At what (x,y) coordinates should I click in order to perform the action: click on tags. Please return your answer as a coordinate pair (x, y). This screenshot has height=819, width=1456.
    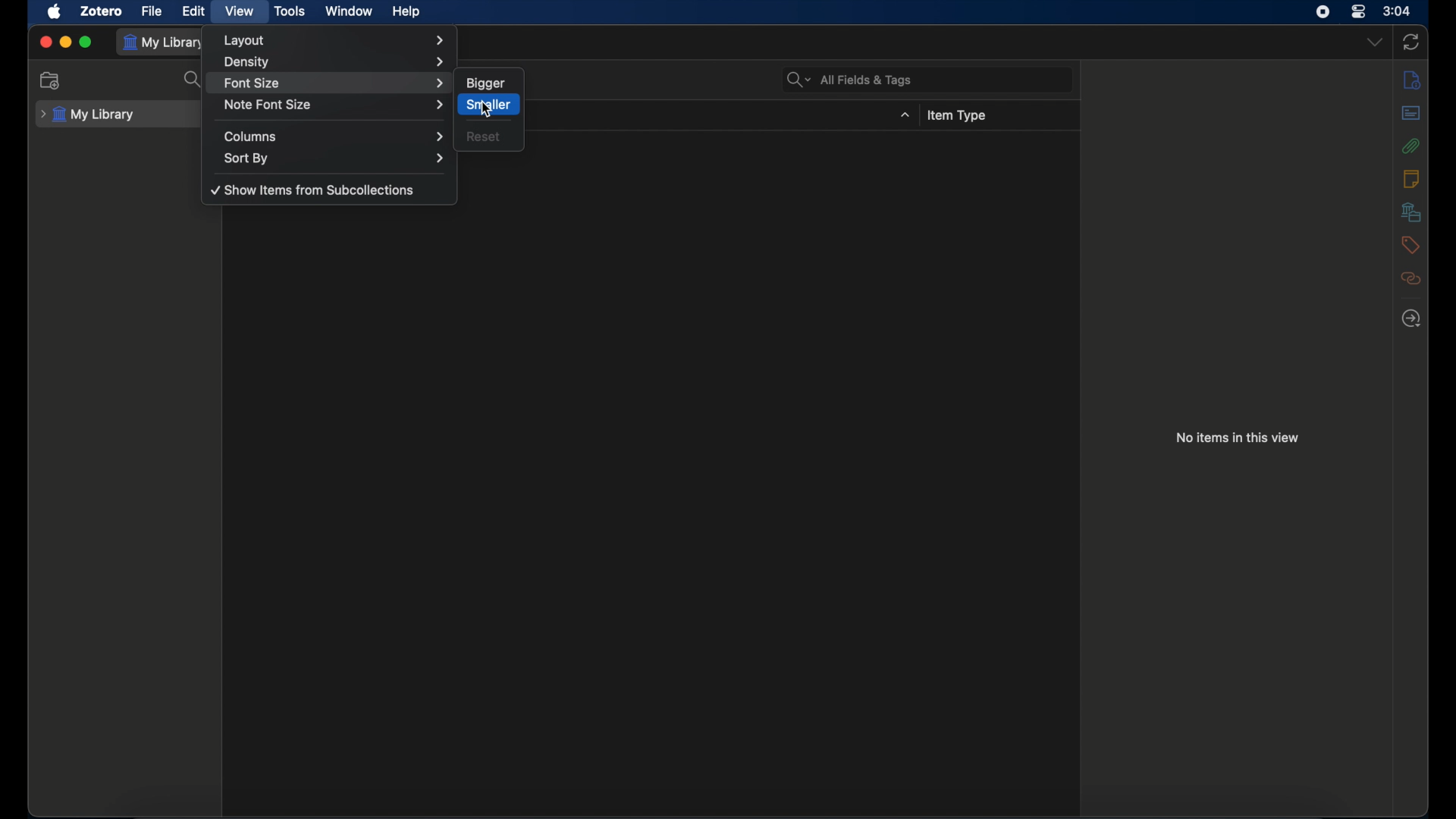
    Looking at the image, I should click on (1410, 244).